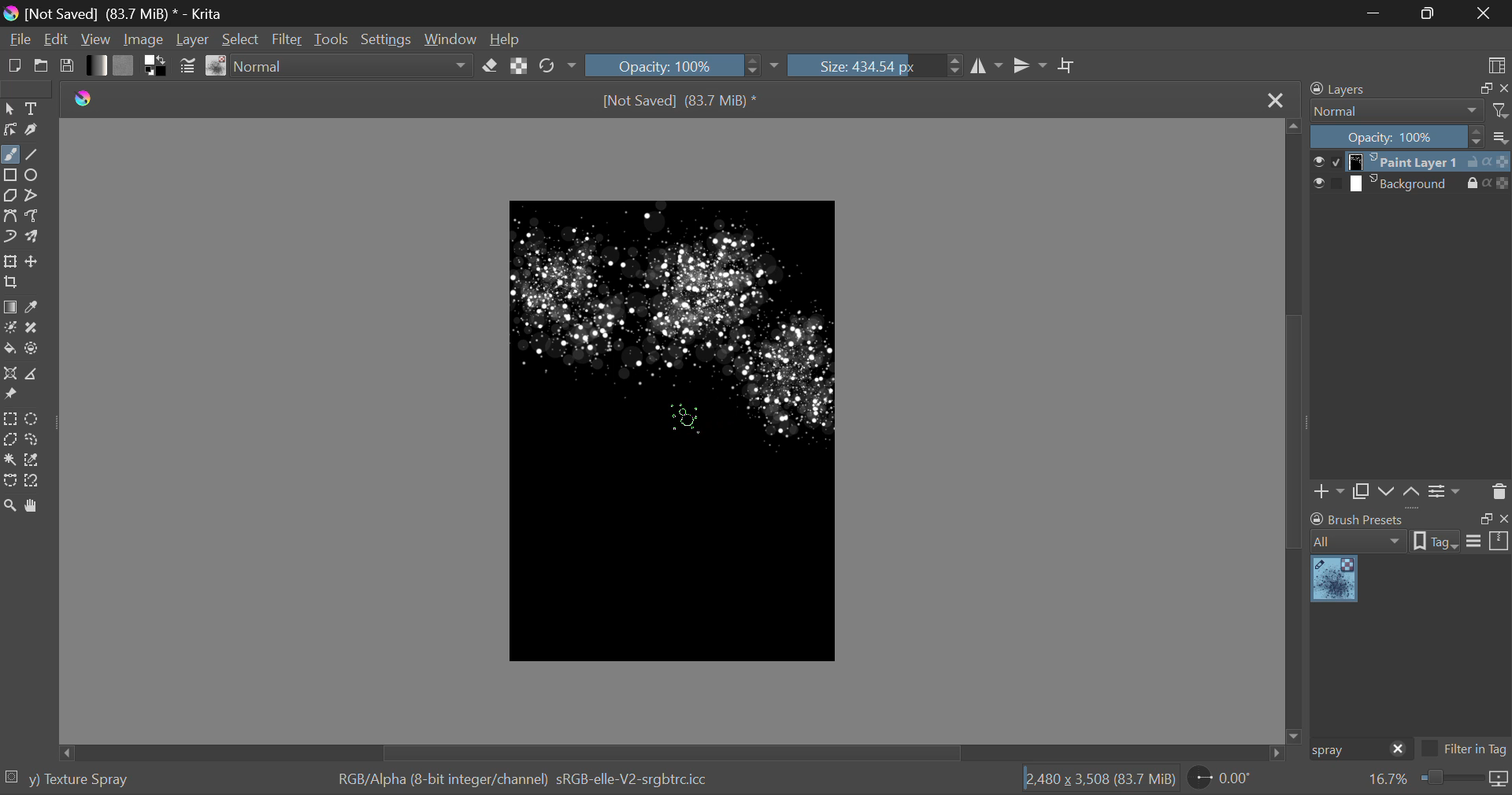 The image size is (1512, 795). Describe the element at coordinates (1329, 494) in the screenshot. I see `Add Layer` at that location.